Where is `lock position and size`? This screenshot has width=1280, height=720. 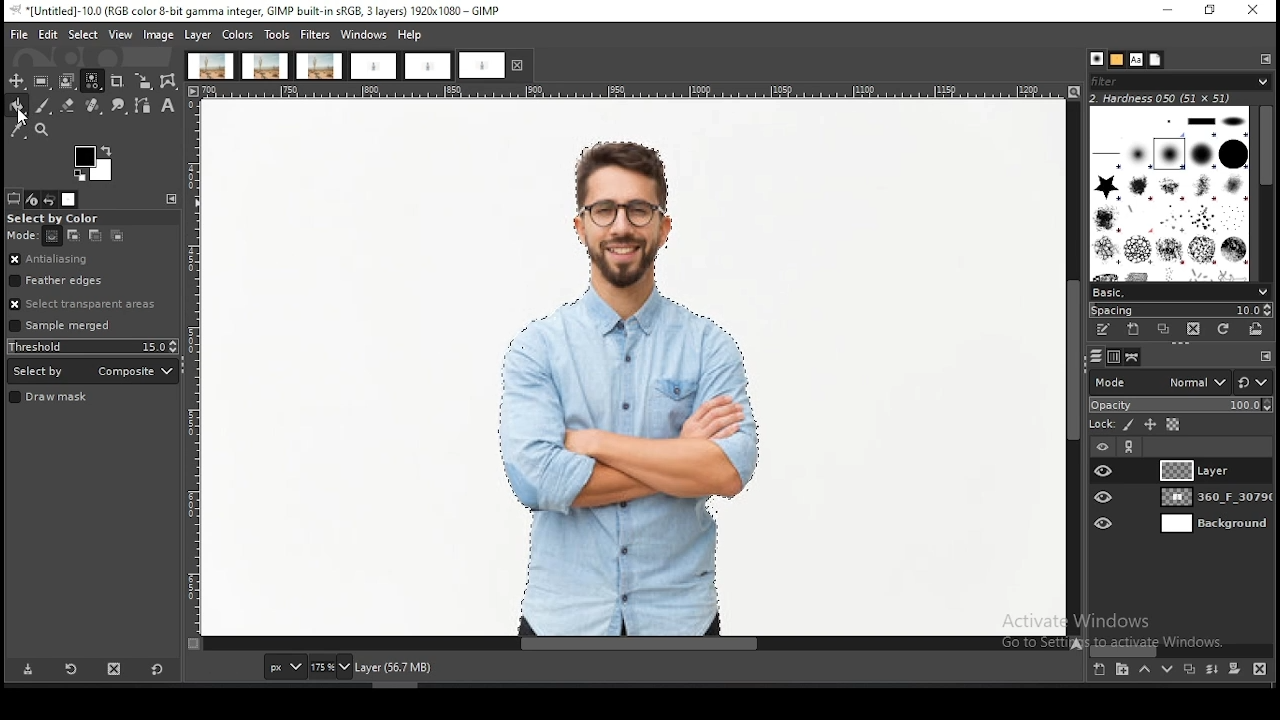
lock position and size is located at coordinates (1149, 426).